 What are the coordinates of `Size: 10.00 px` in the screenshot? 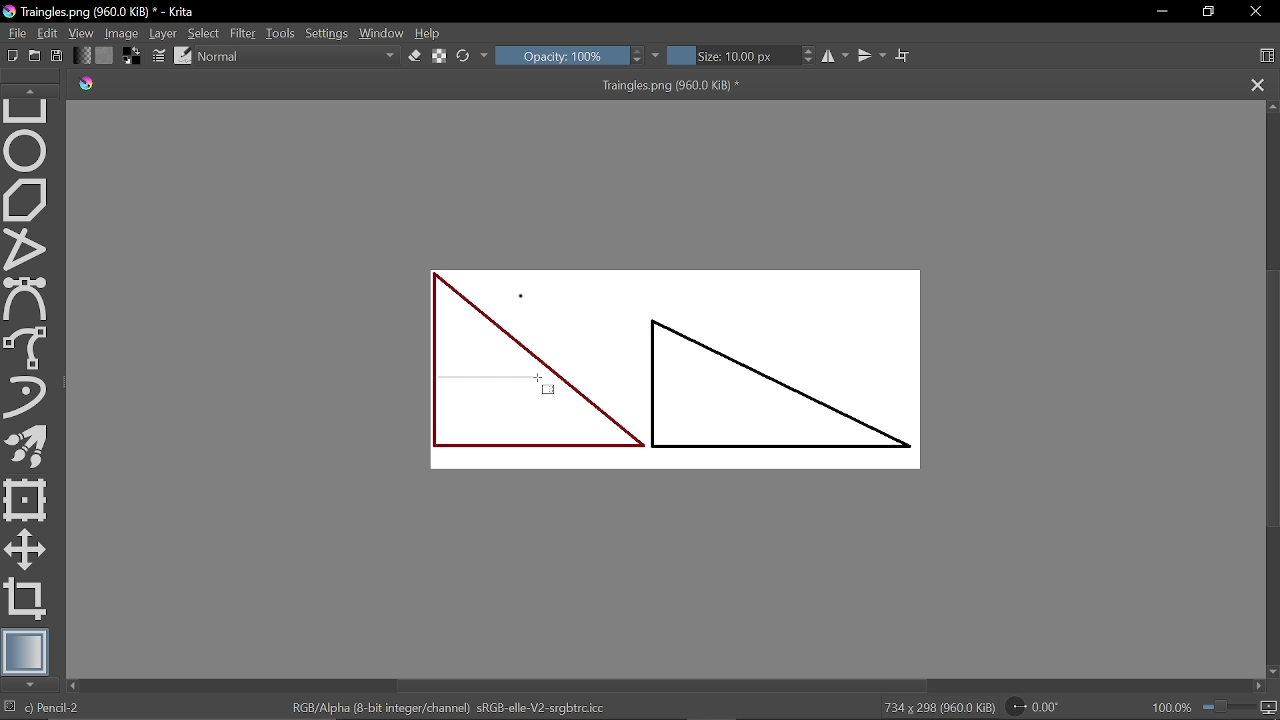 It's located at (731, 57).